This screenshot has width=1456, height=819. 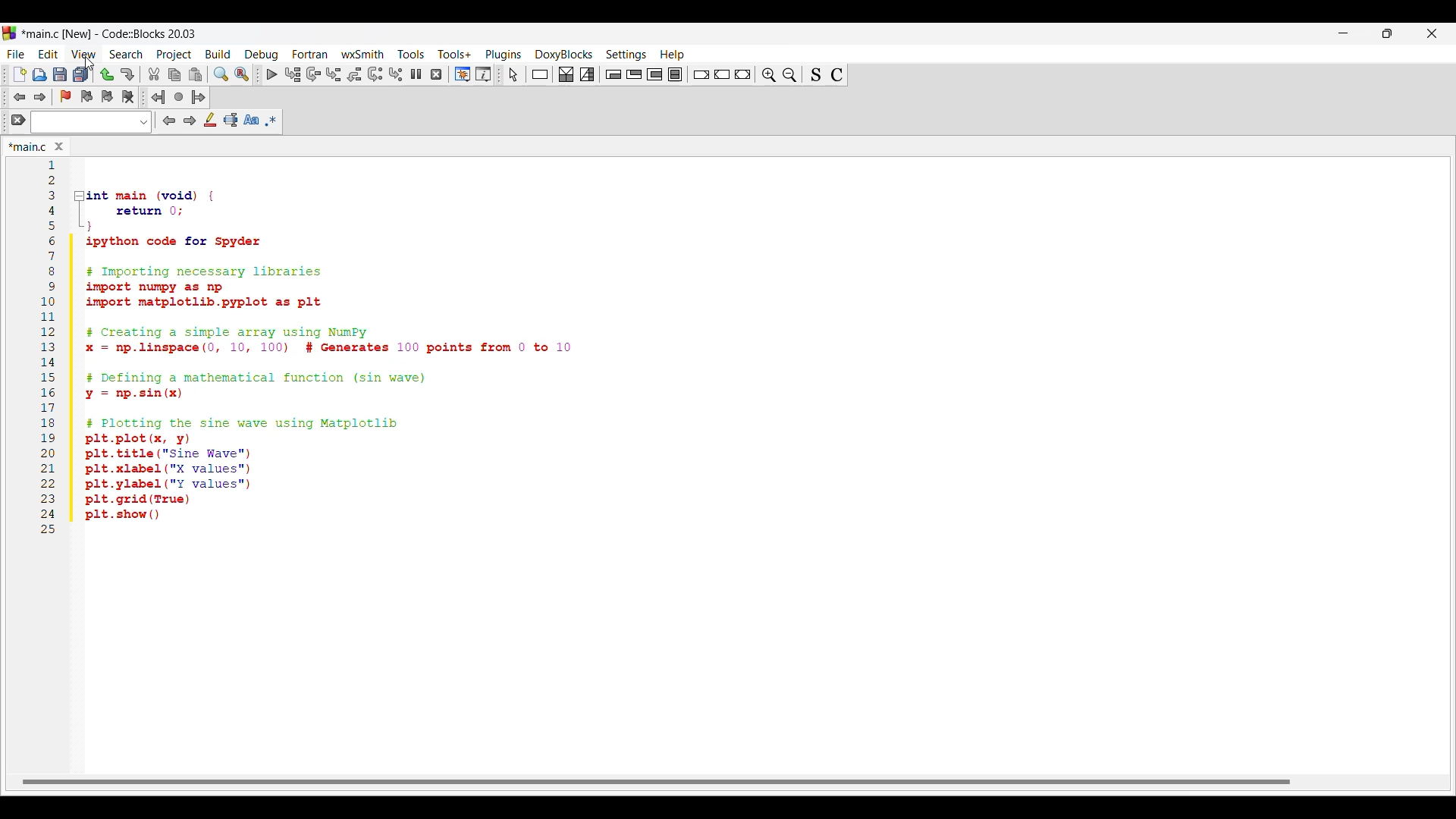 What do you see at coordinates (436, 74) in the screenshot?
I see `Stop debugger` at bounding box center [436, 74].